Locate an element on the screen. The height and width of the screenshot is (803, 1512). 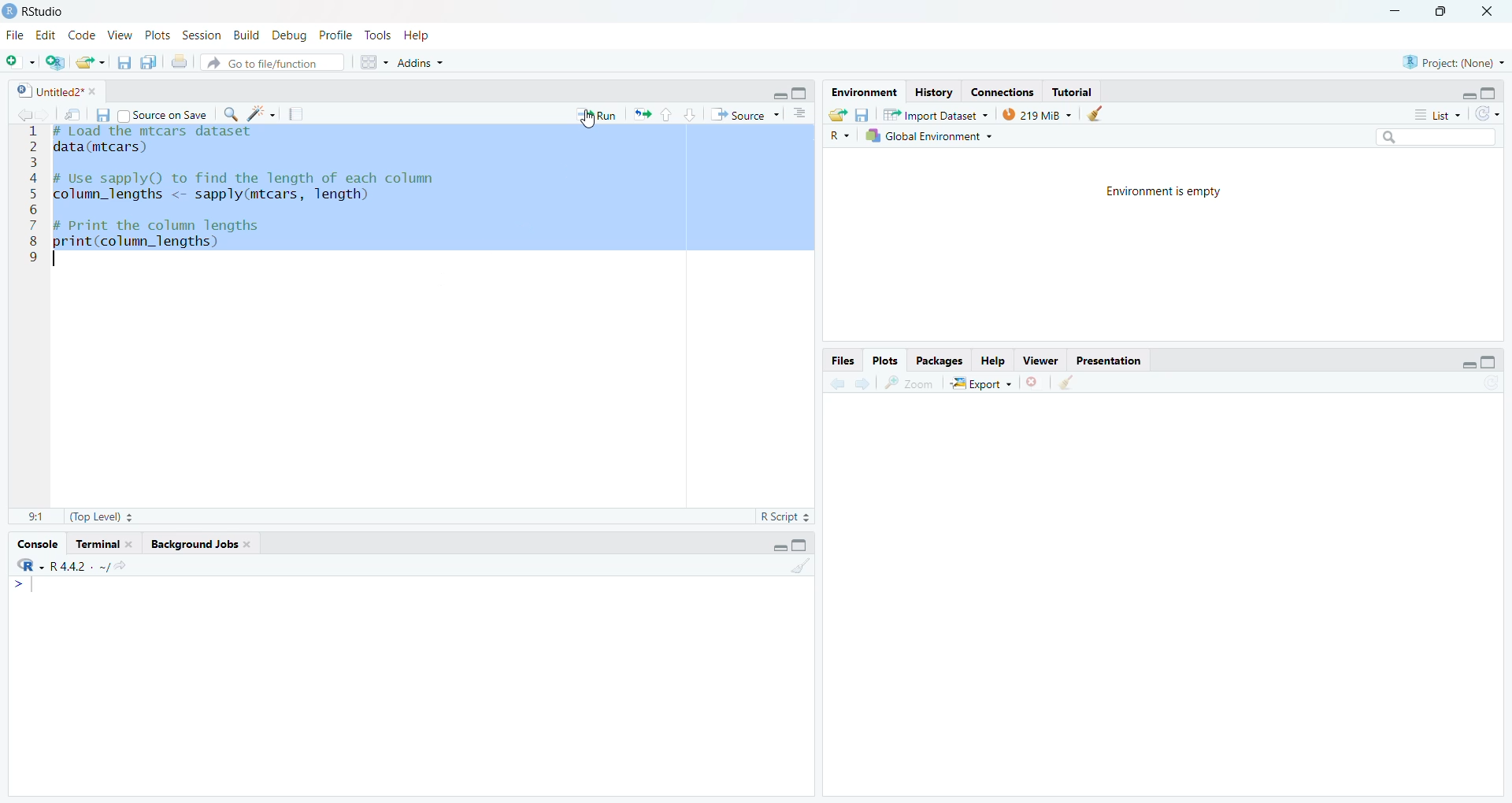
Hide is located at coordinates (778, 93).